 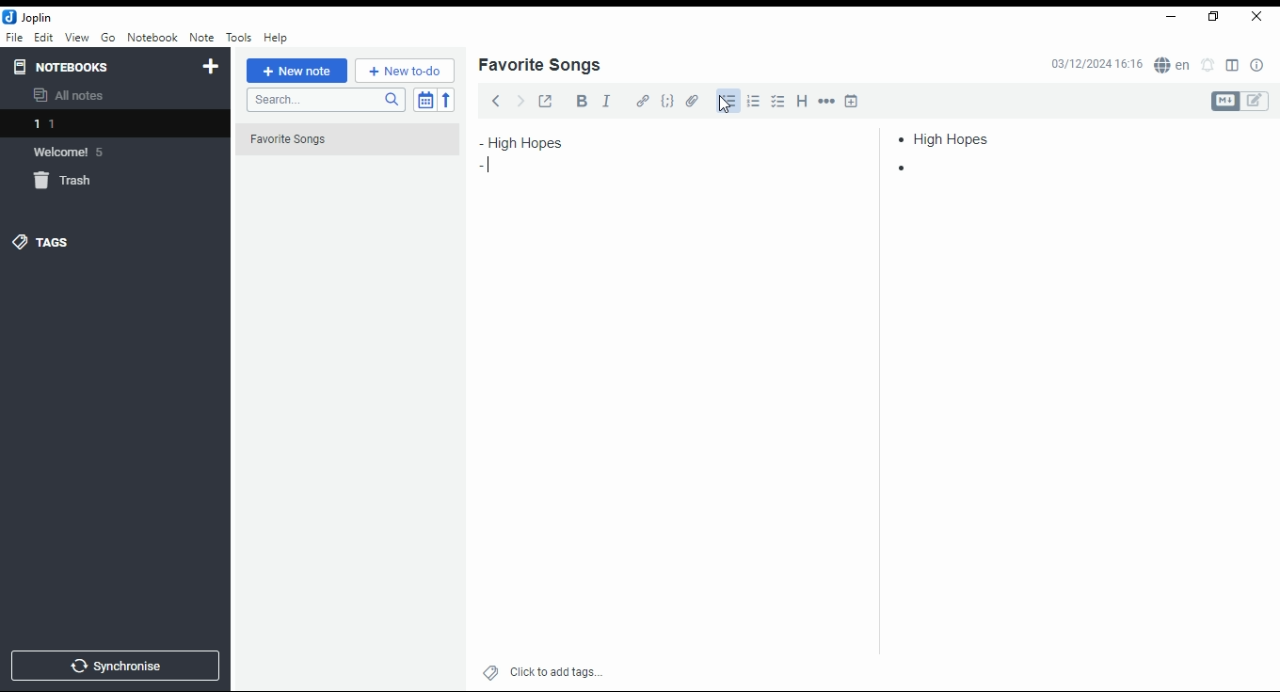 What do you see at coordinates (496, 100) in the screenshot?
I see `back` at bounding box center [496, 100].